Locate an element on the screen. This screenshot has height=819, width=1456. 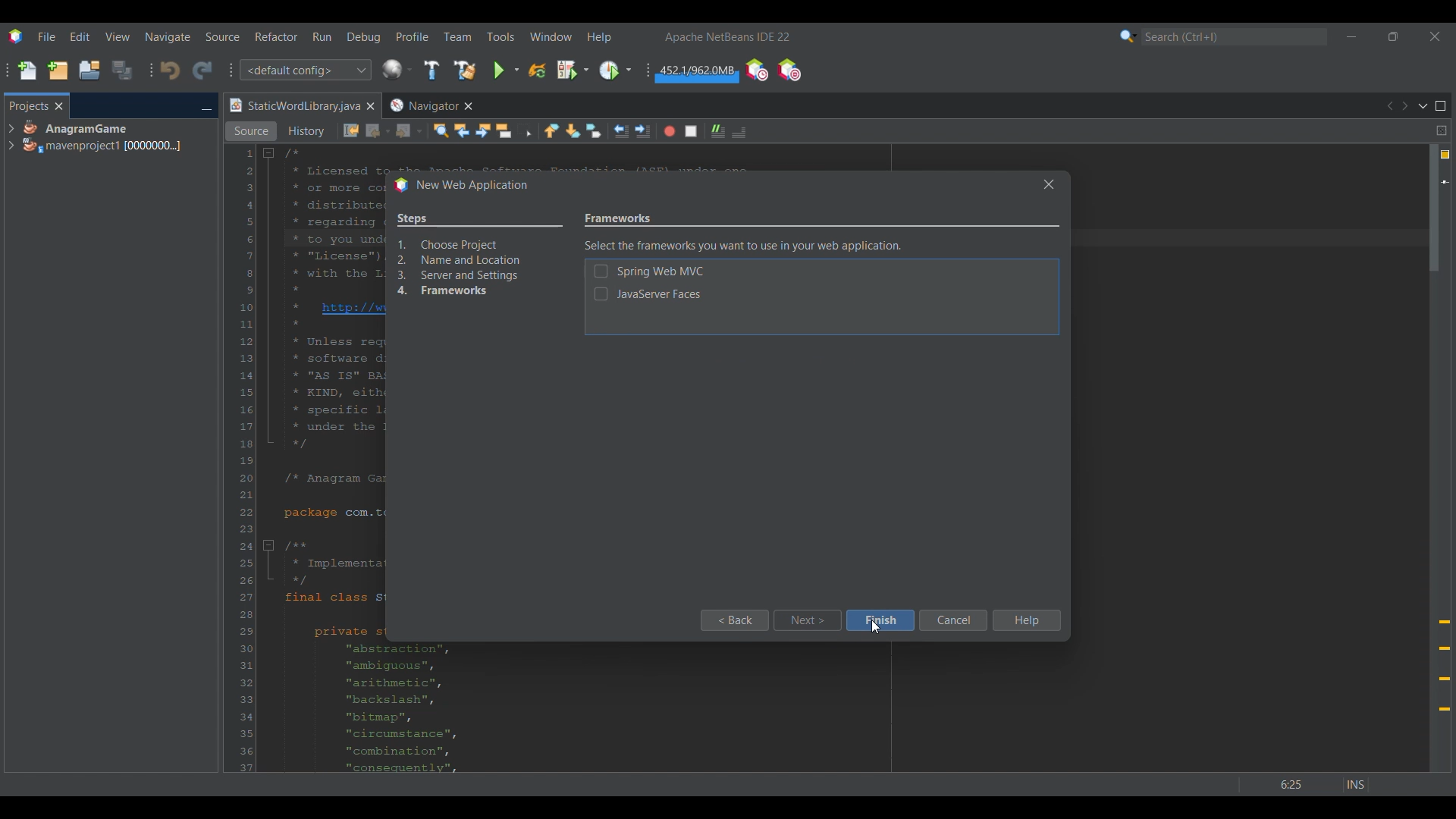
New file is located at coordinates (27, 71).